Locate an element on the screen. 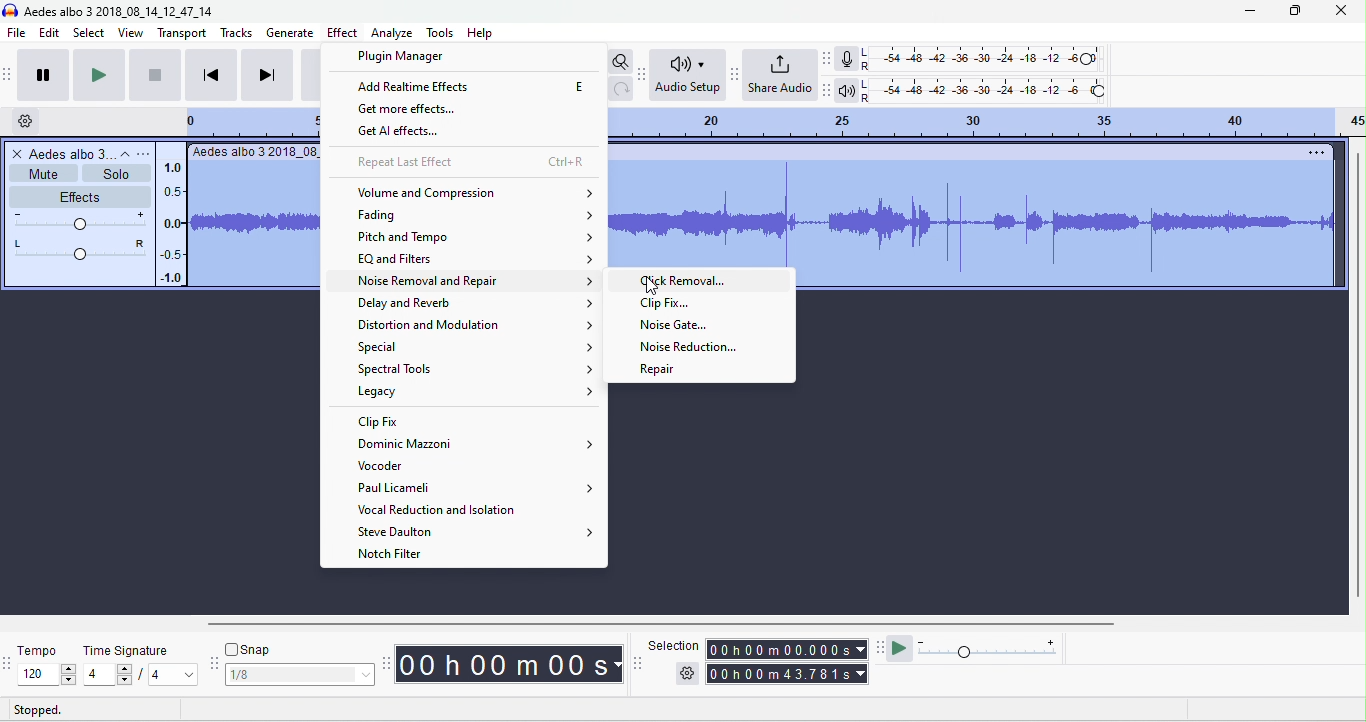 The height and width of the screenshot is (722, 1366). generate is located at coordinates (289, 33).